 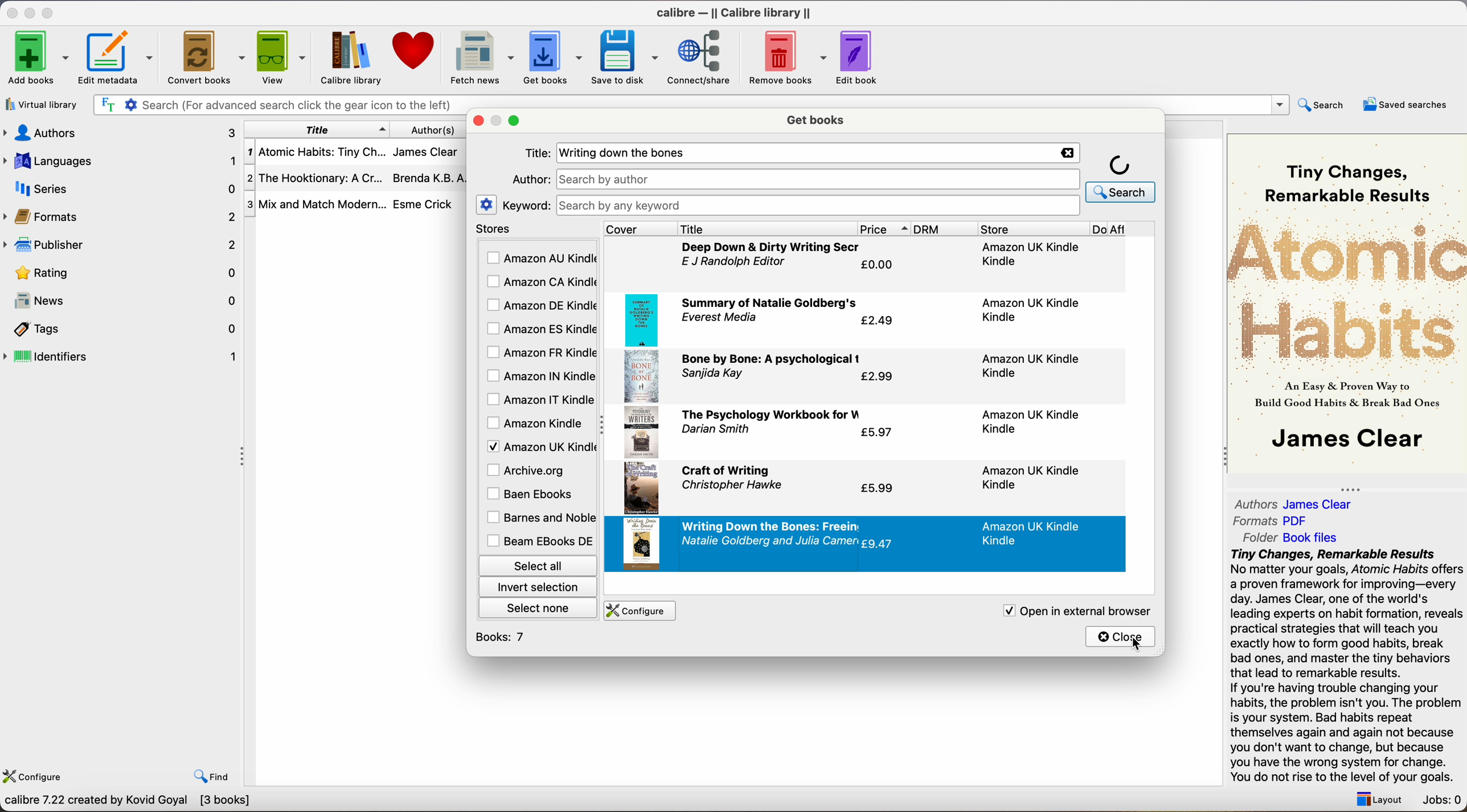 What do you see at coordinates (315, 205) in the screenshot?
I see `Mix and Match Modern...` at bounding box center [315, 205].